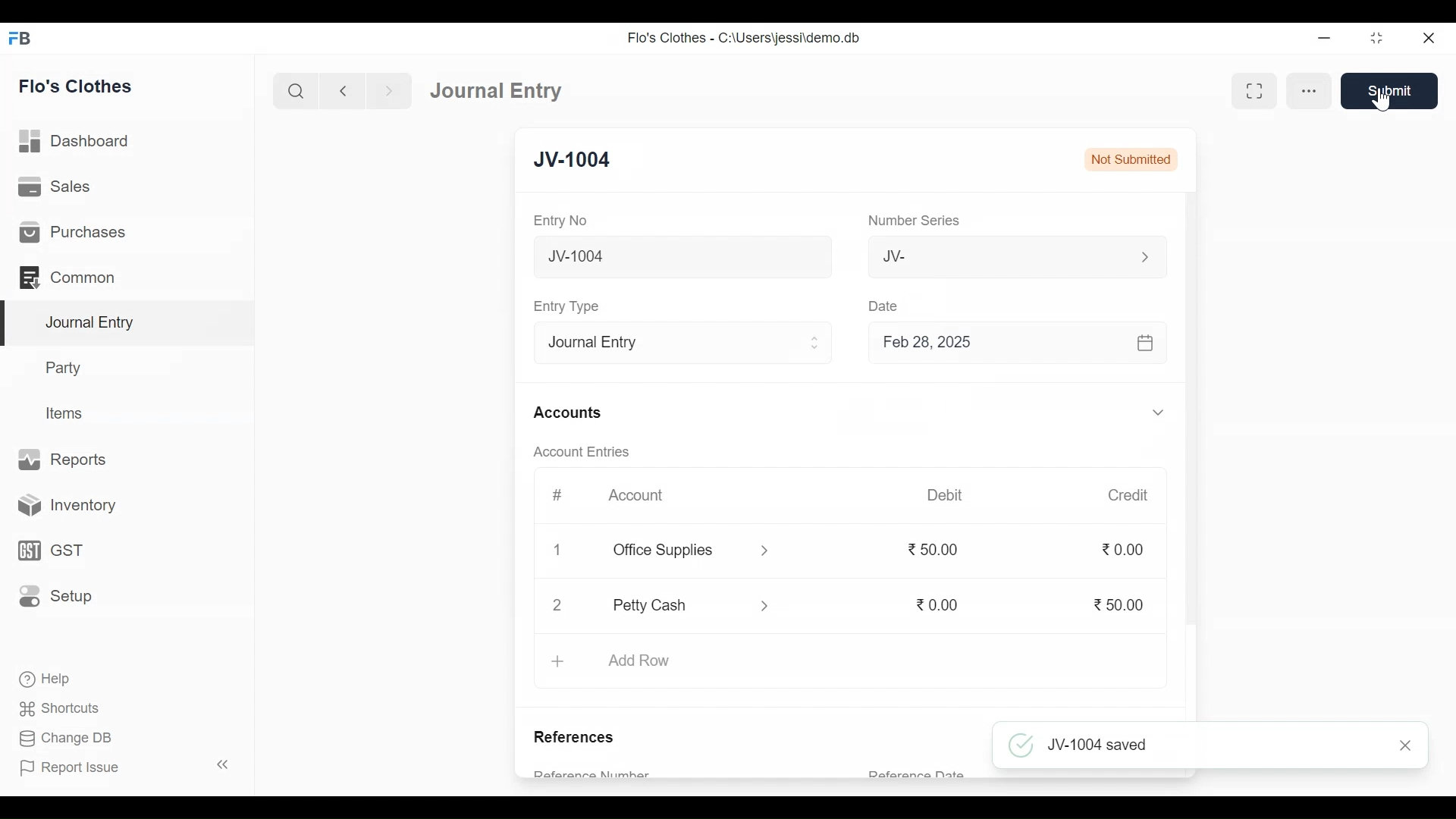 The width and height of the screenshot is (1456, 819). Describe the element at coordinates (943, 495) in the screenshot. I see `Debit` at that location.